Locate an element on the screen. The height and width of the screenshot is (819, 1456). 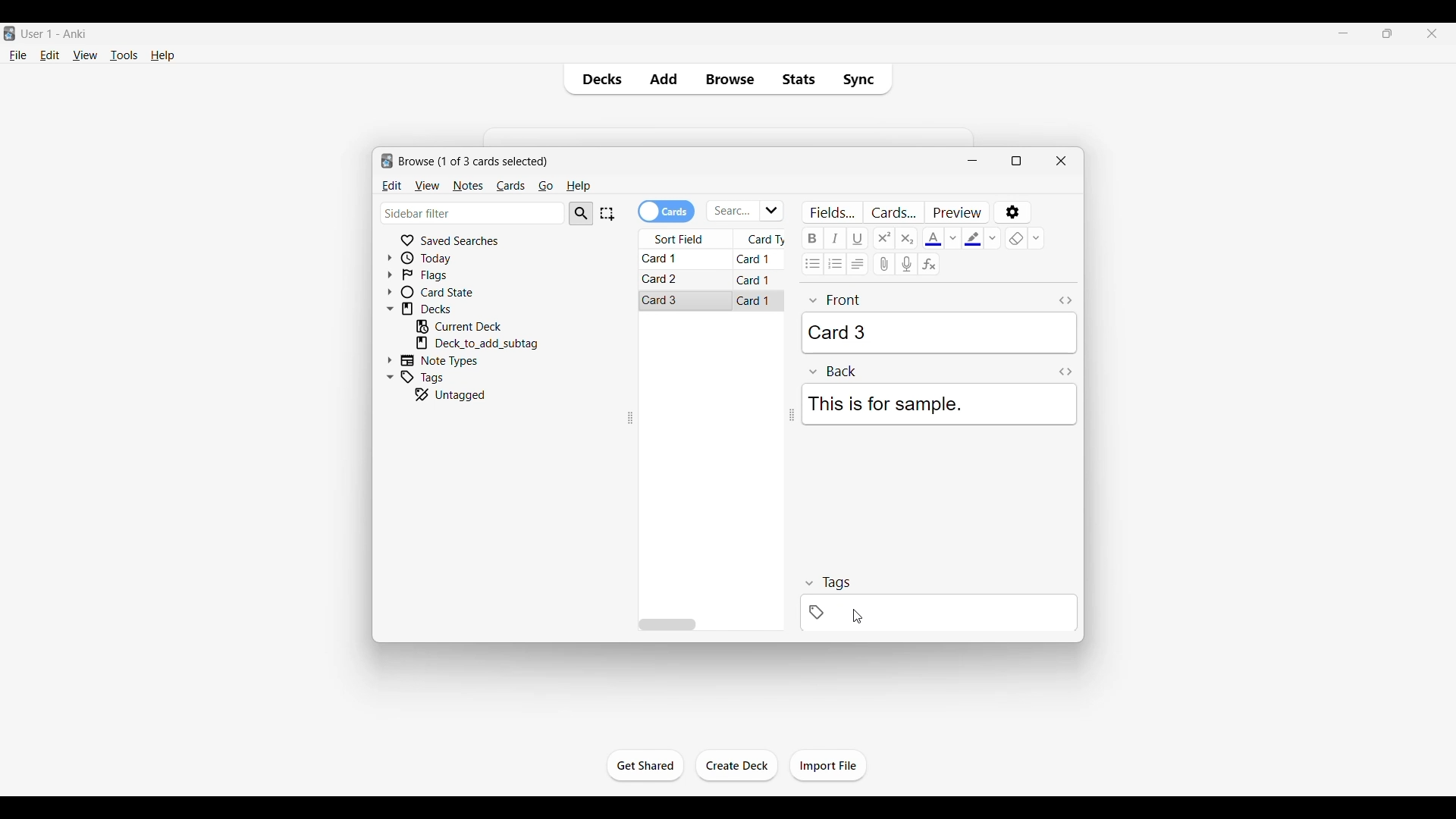
Tools menu is located at coordinates (124, 55).